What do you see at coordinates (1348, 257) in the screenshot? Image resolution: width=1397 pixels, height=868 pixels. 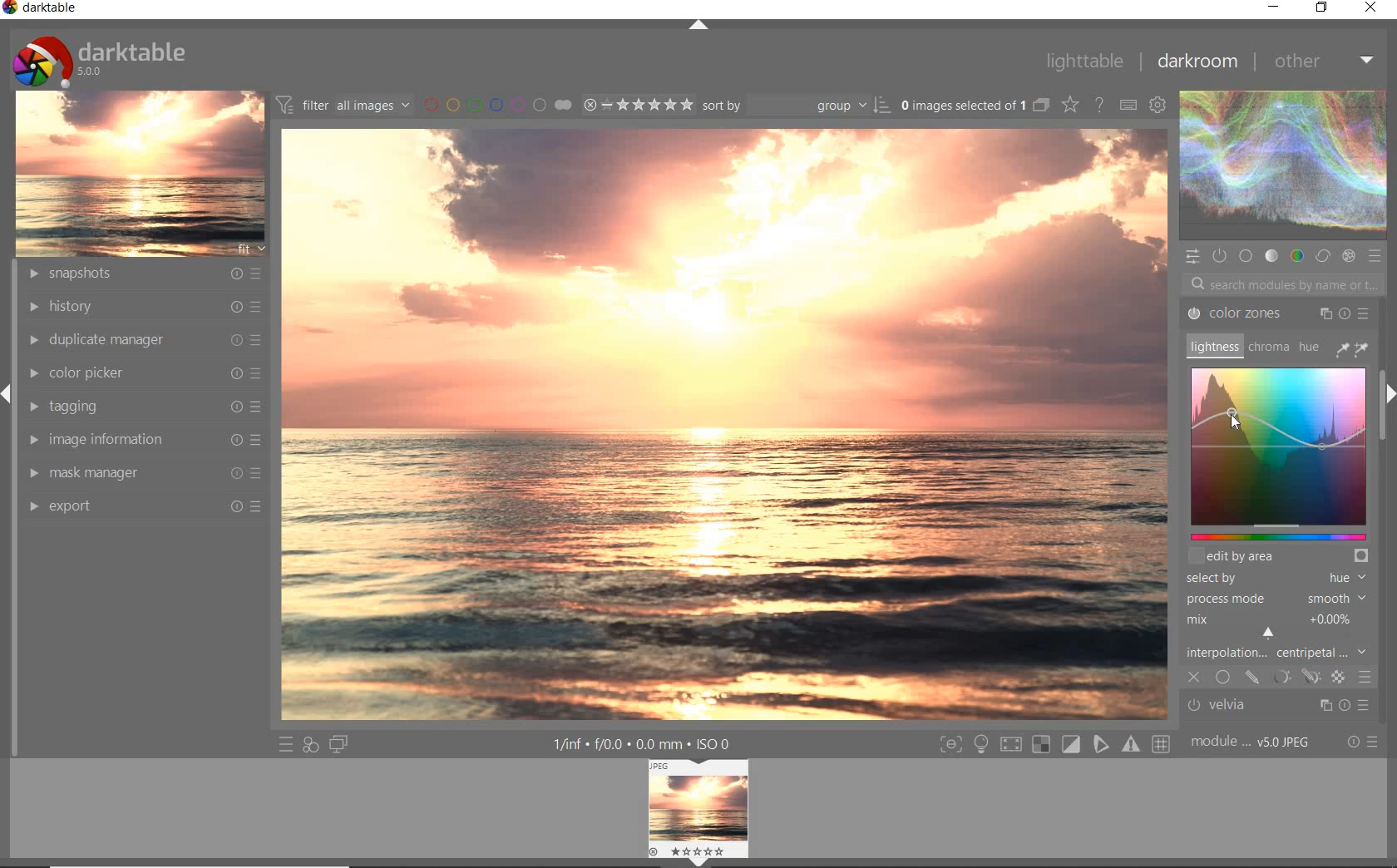 I see `EFFECT` at bounding box center [1348, 257].